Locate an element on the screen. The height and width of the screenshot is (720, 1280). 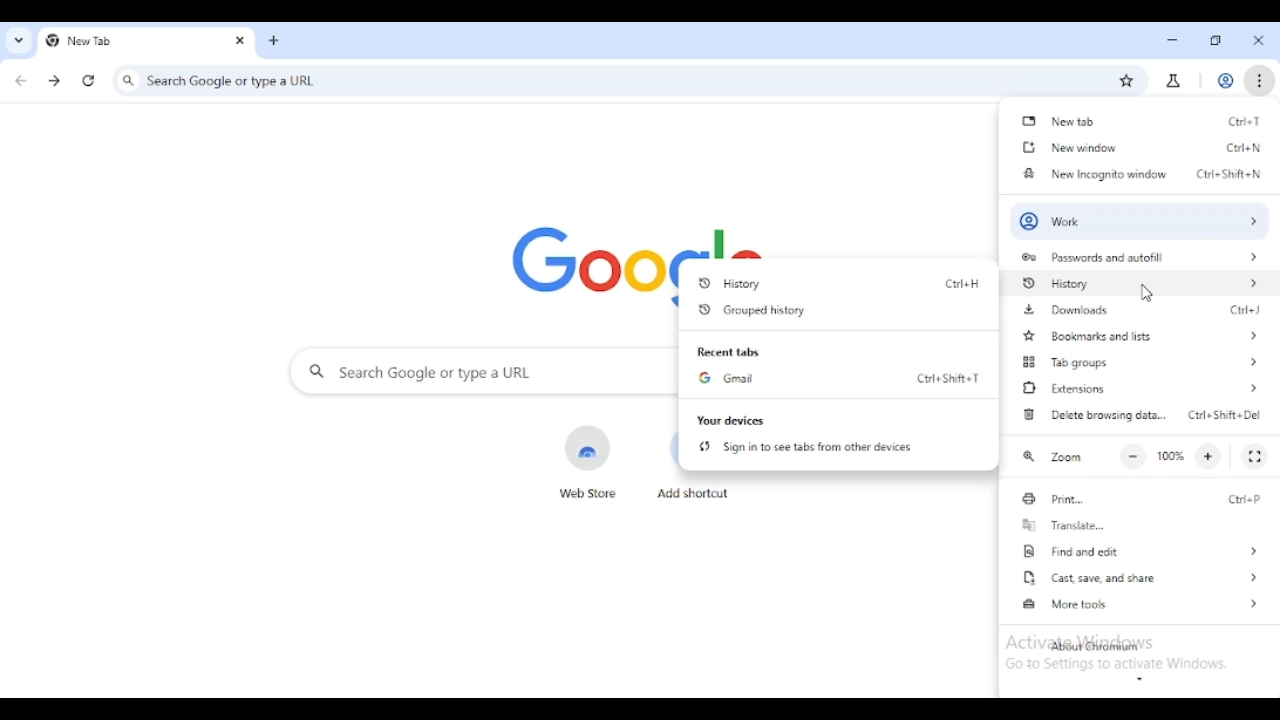
shortcut for new window is located at coordinates (1243, 148).